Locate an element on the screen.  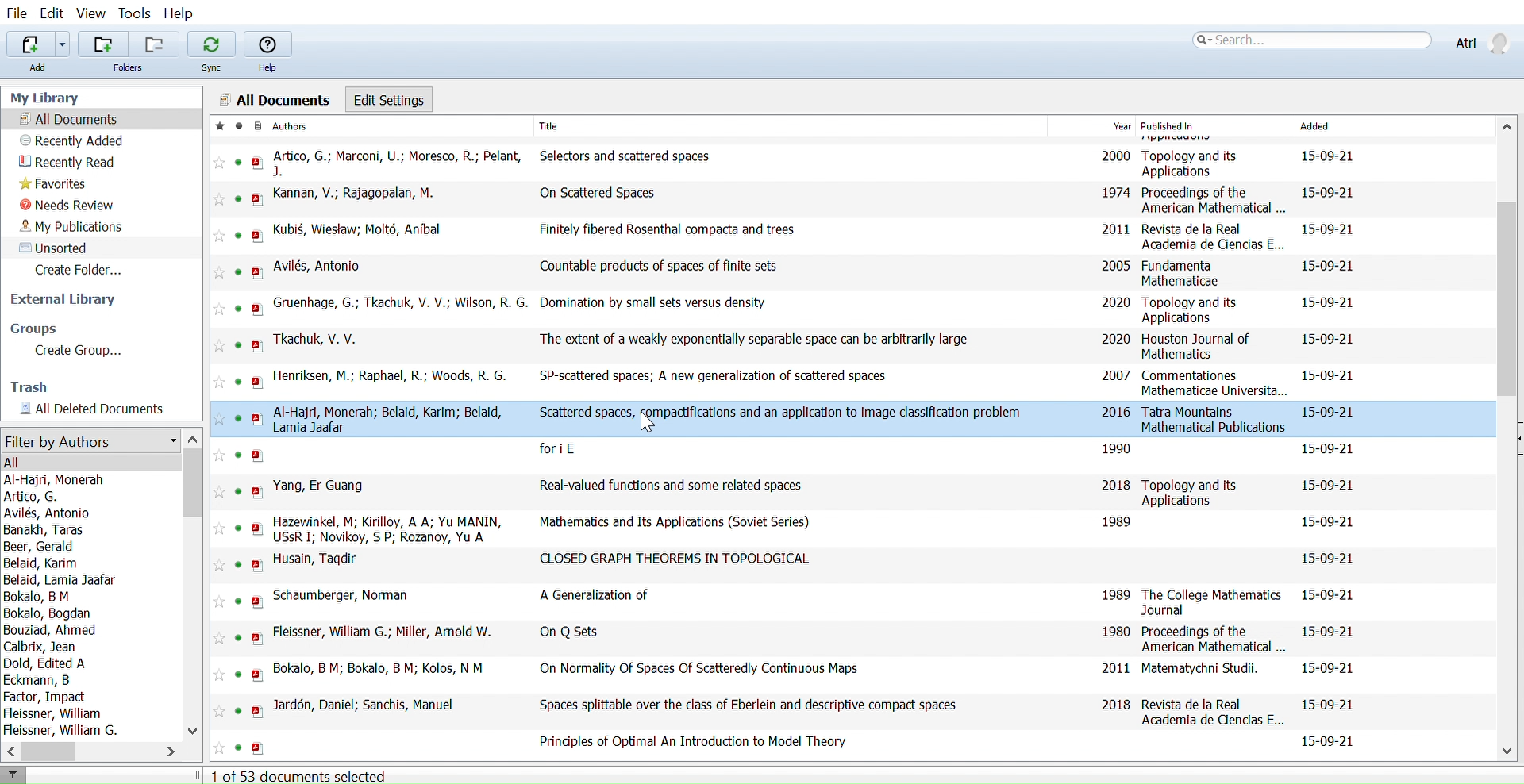
_ Fleissner, William G.: Miller, Arnold W. is located at coordinates (387, 631).